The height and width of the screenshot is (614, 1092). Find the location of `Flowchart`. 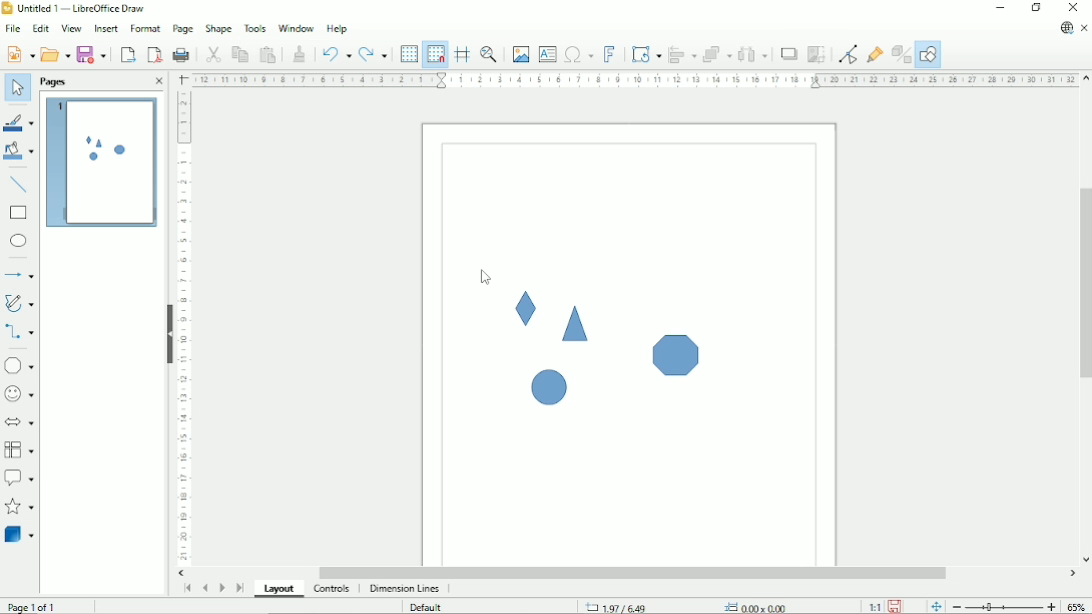

Flowchart is located at coordinates (20, 450).